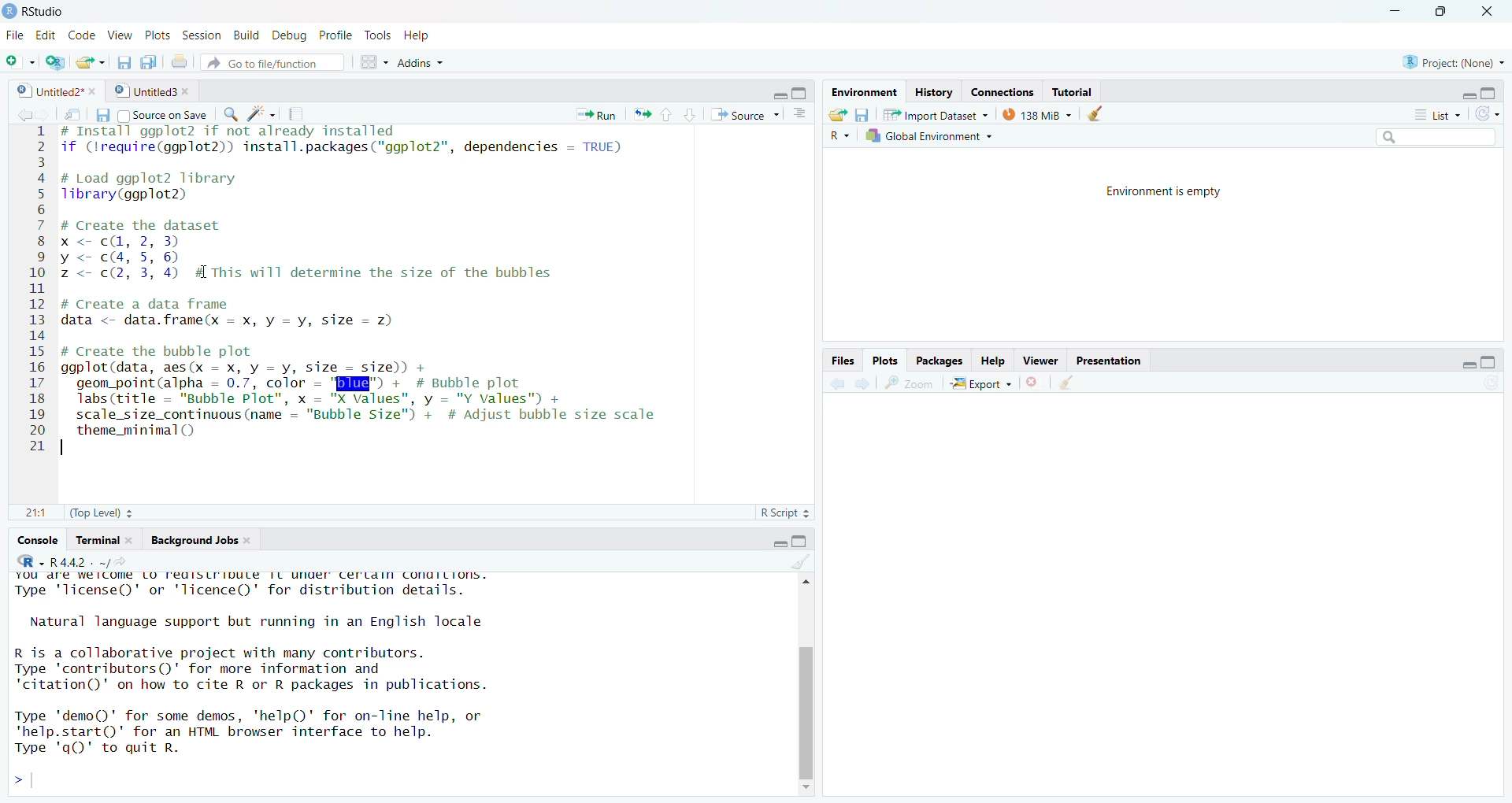 The height and width of the screenshot is (803, 1512). What do you see at coordinates (743, 115) in the screenshot?
I see `+ Source ~` at bounding box center [743, 115].